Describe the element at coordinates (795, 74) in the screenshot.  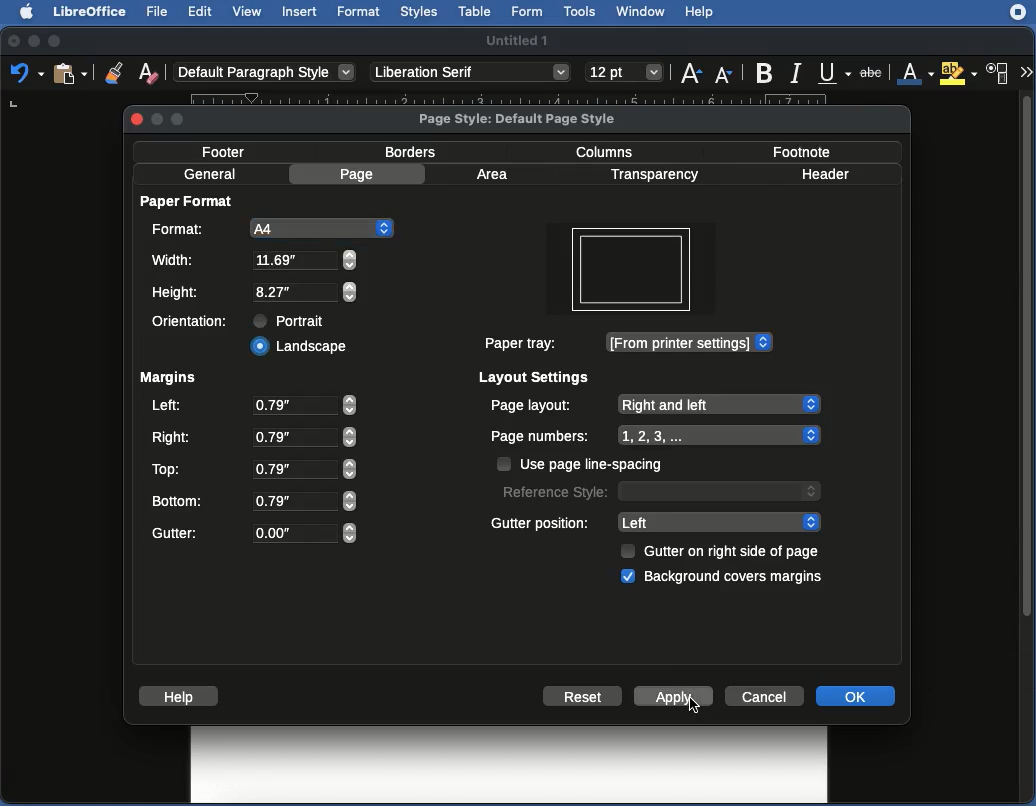
I see `Italic` at that location.